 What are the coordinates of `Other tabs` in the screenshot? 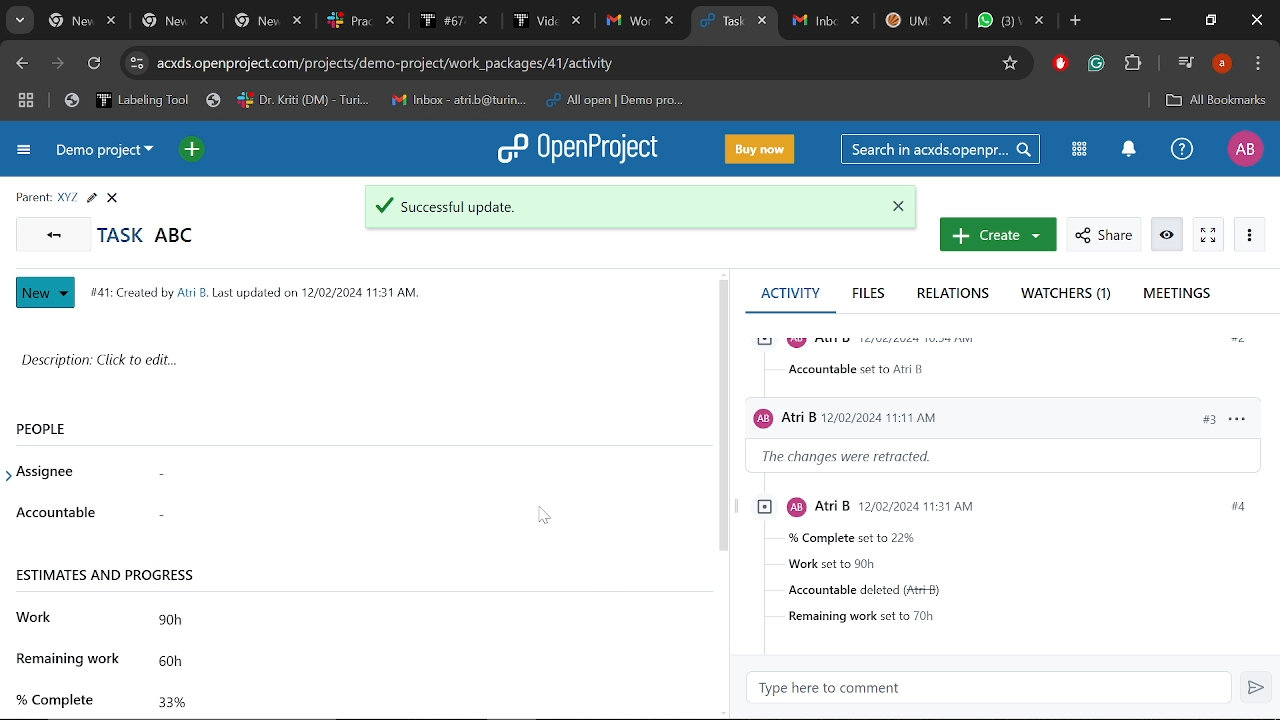 It's located at (918, 20).